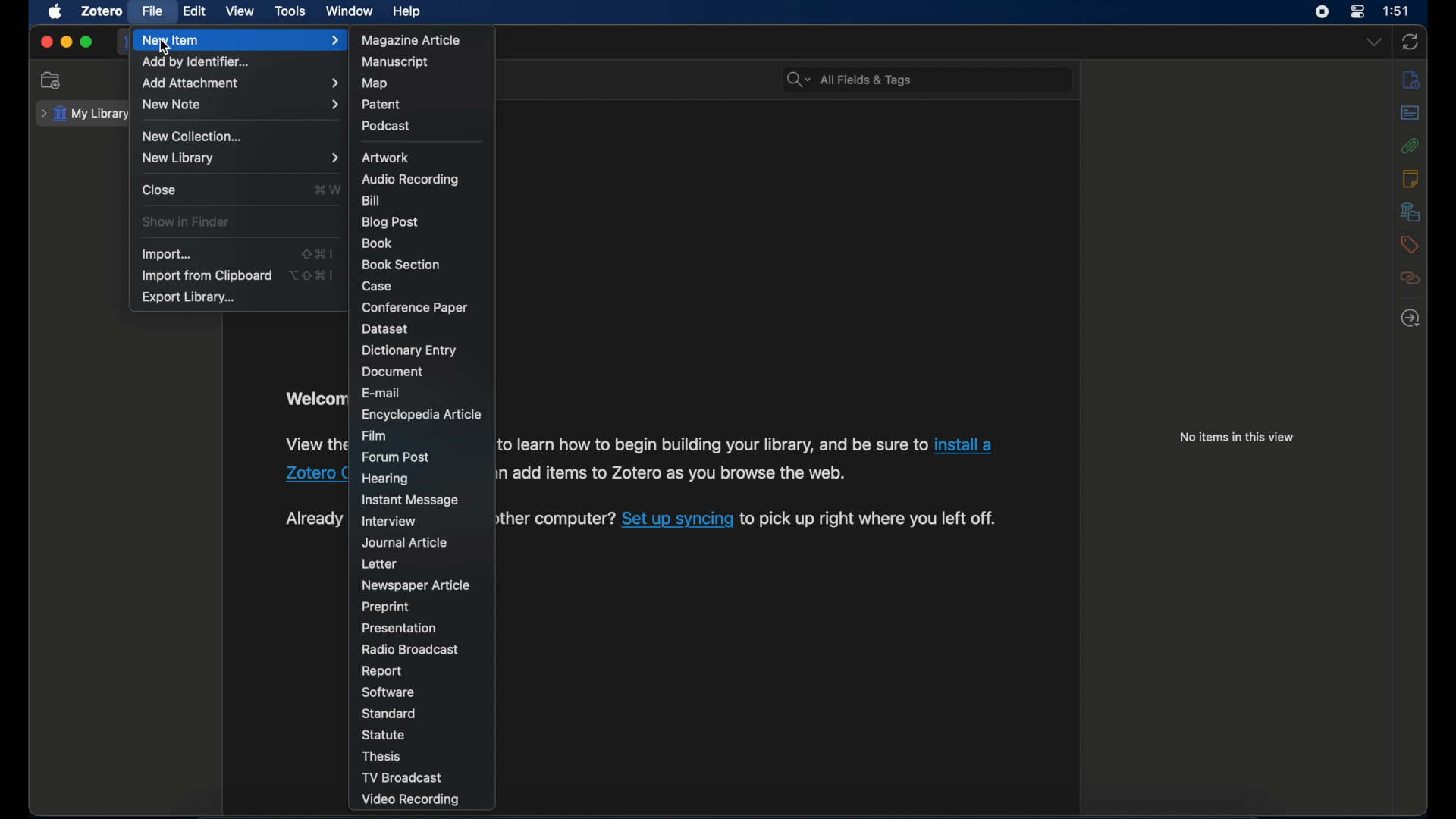 Image resolution: width=1456 pixels, height=819 pixels. What do you see at coordinates (413, 40) in the screenshot?
I see `magazine article` at bounding box center [413, 40].